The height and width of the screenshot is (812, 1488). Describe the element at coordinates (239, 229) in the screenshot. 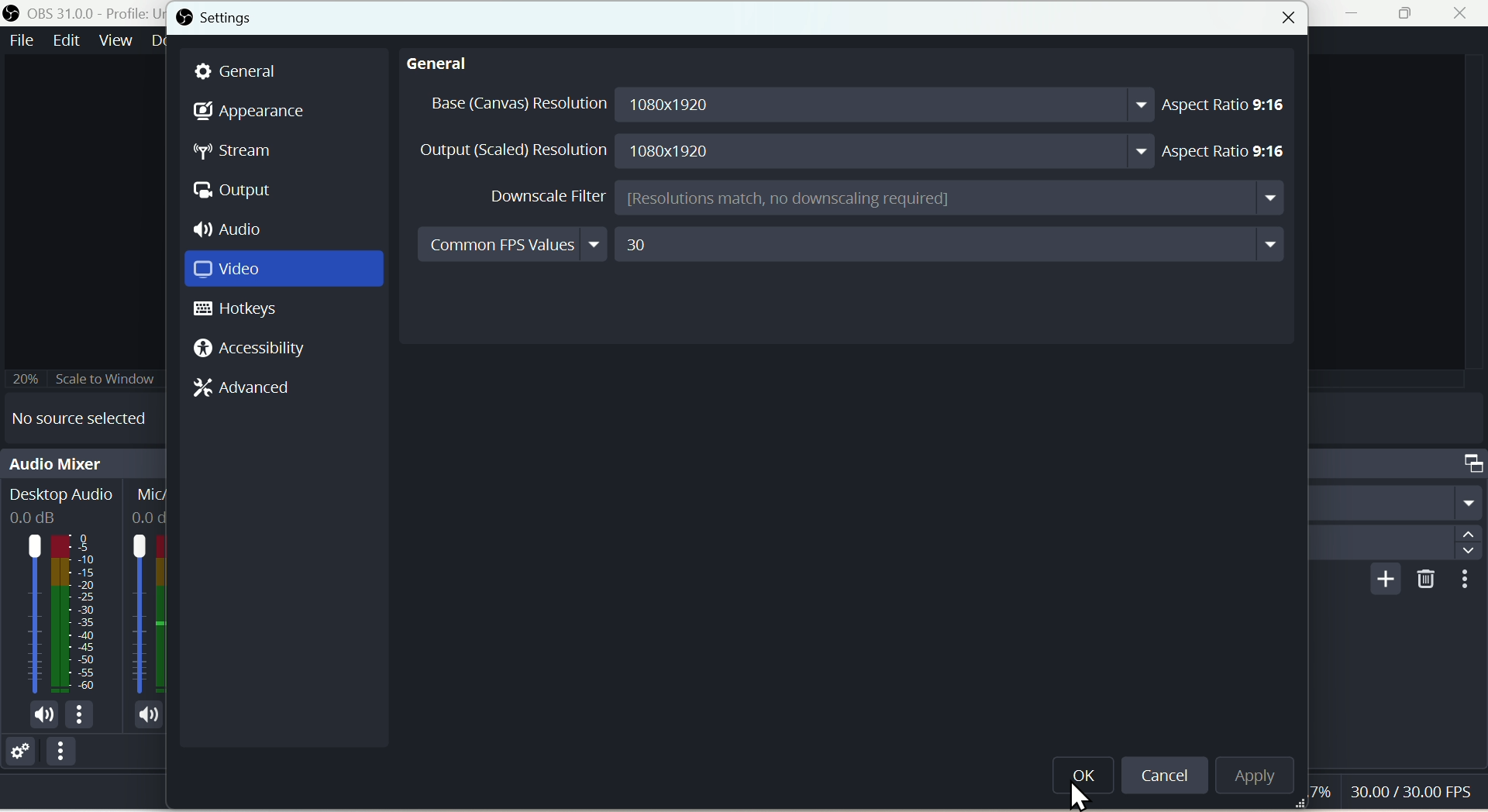

I see `Audio` at that location.